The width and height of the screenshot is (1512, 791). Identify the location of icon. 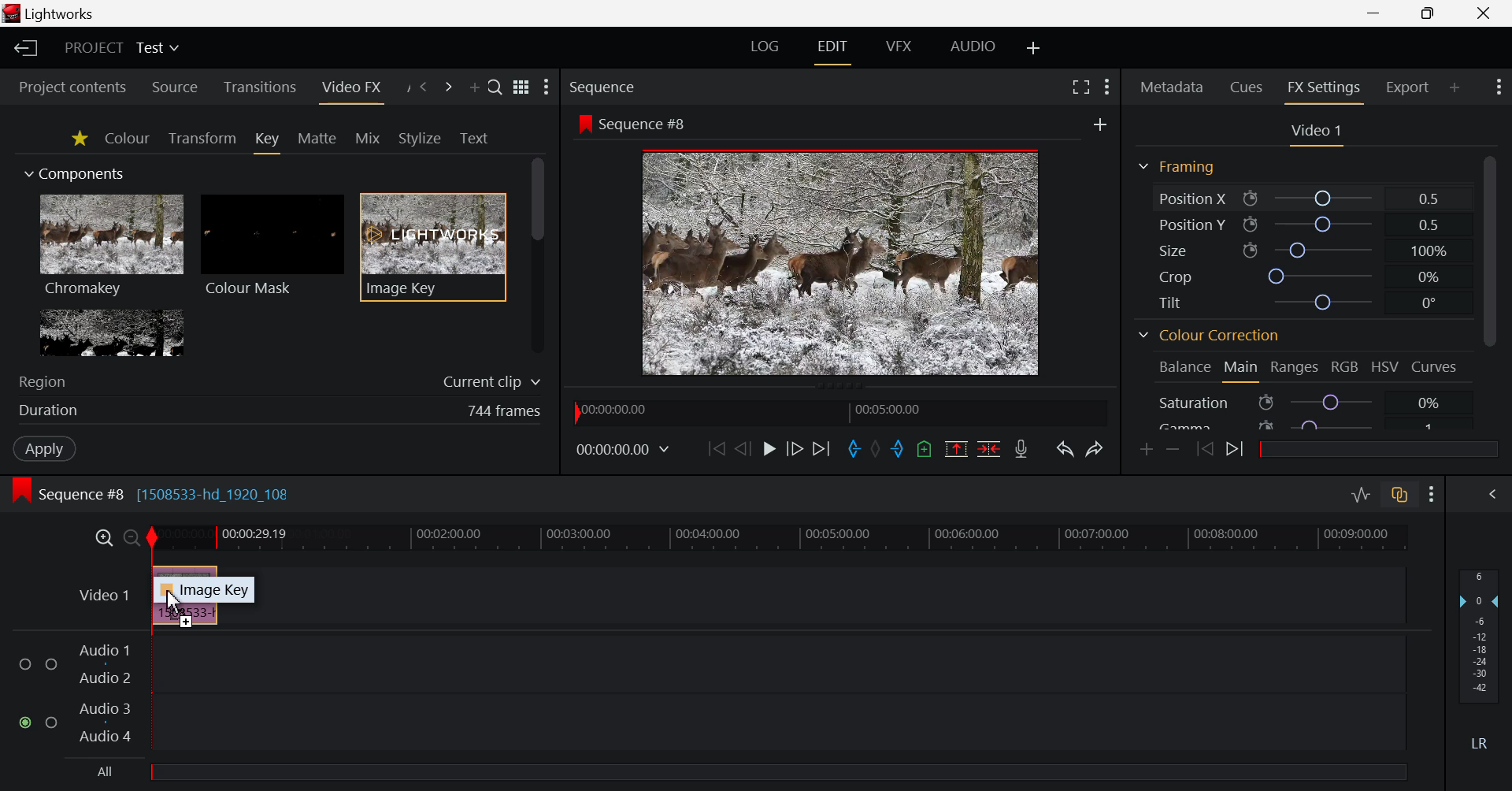
(1266, 402).